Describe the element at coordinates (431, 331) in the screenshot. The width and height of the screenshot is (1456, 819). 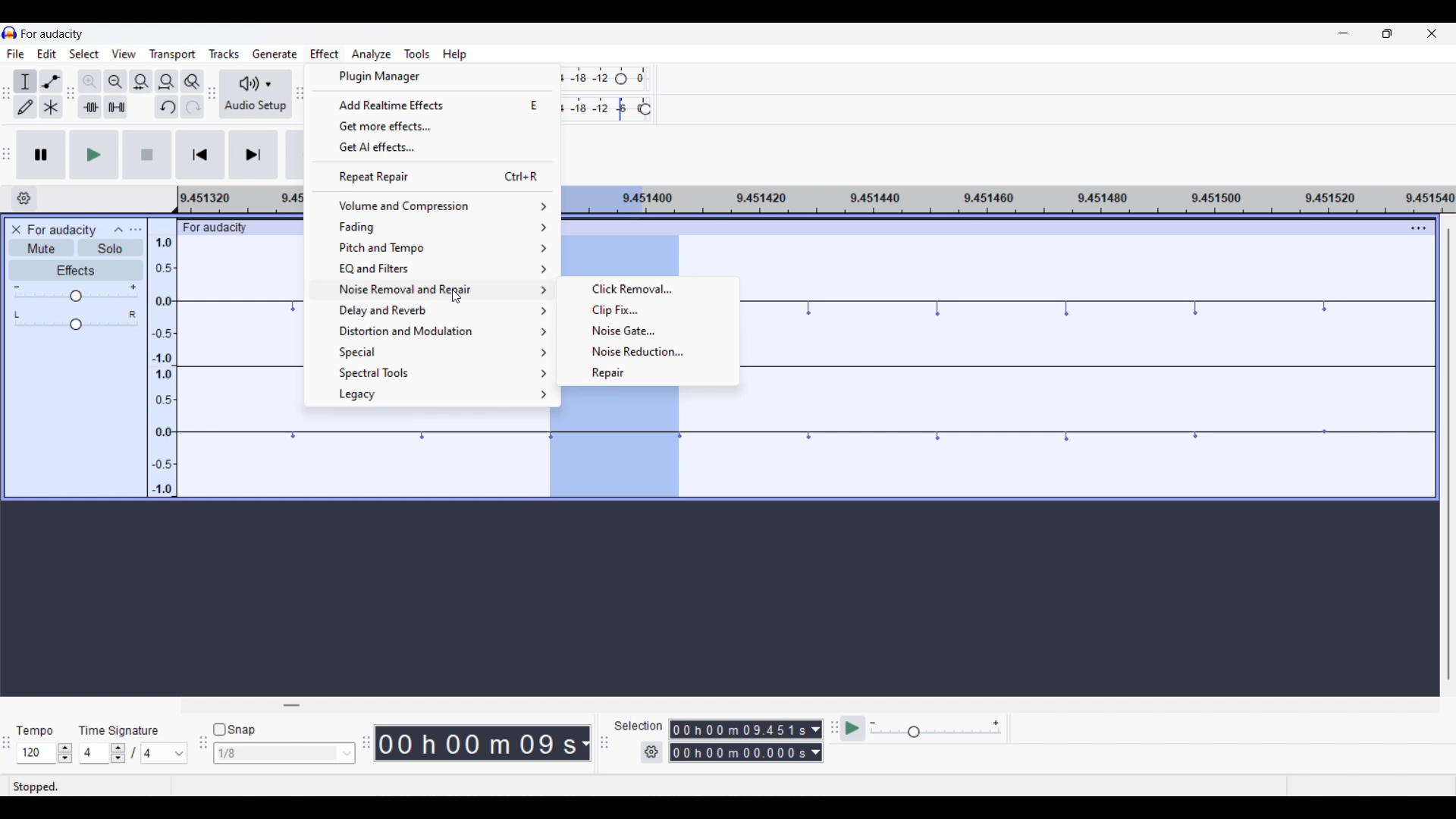
I see `Distortion and modulation options` at that location.